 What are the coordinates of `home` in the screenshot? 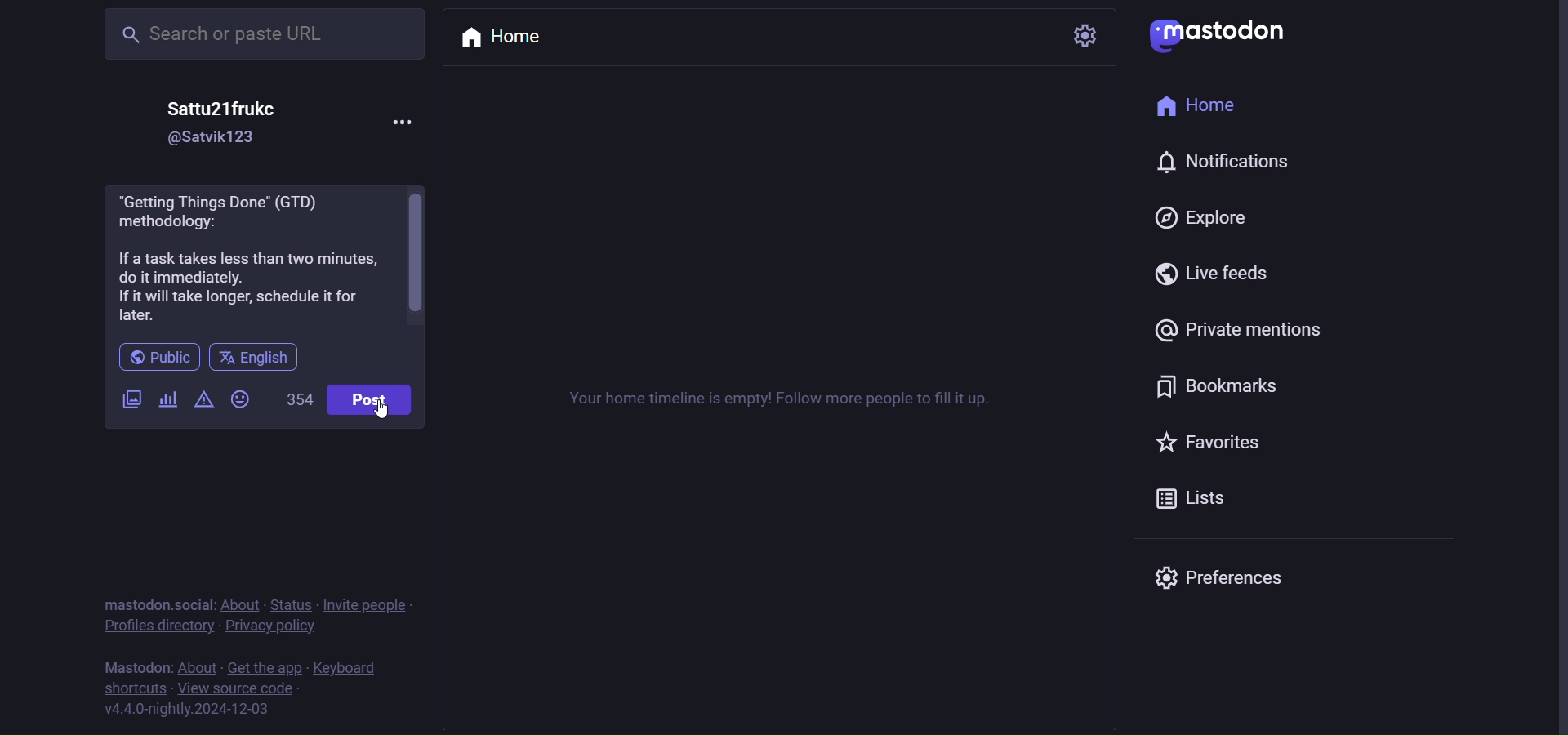 It's located at (1210, 104).